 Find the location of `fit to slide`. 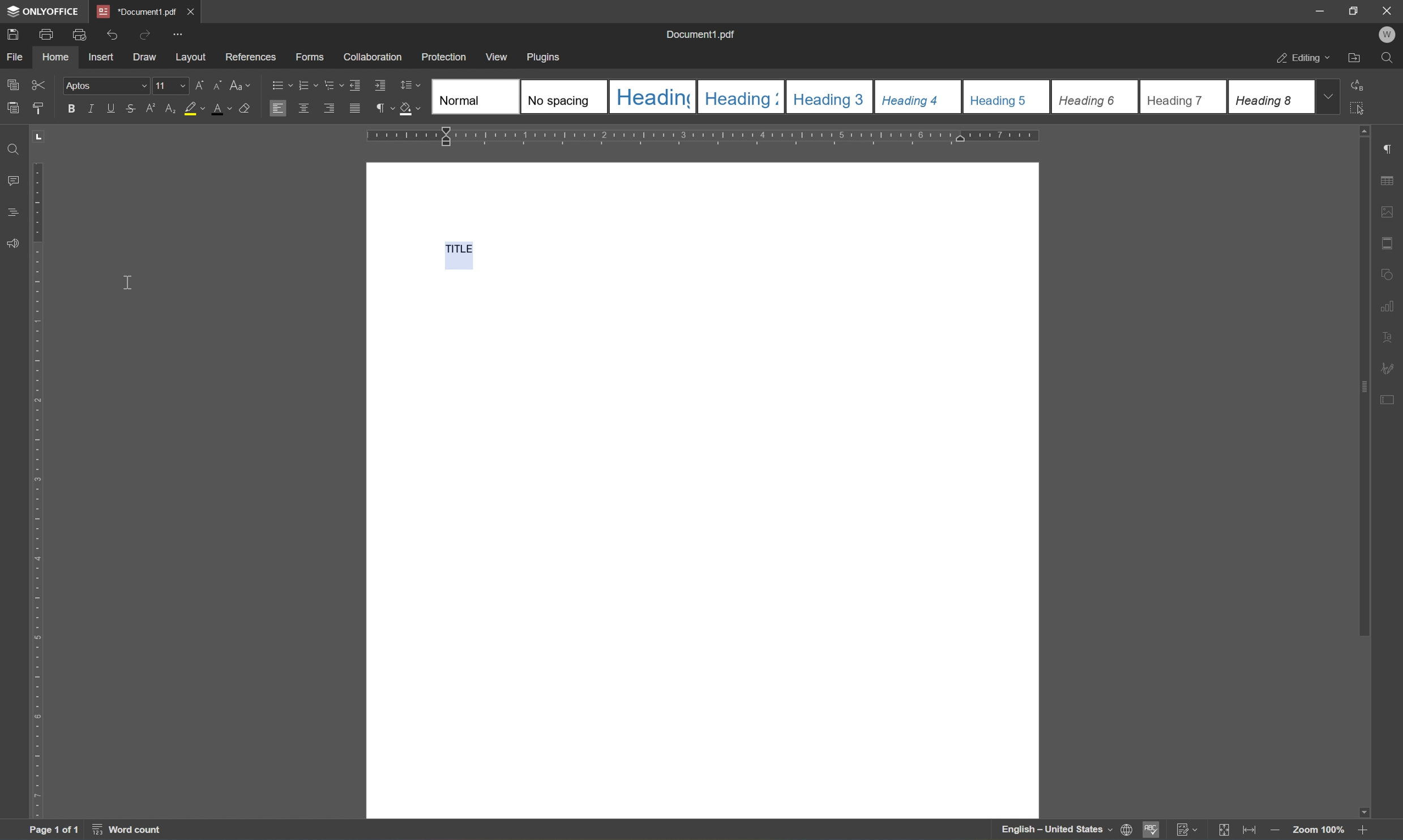

fit to slide is located at coordinates (1225, 831).